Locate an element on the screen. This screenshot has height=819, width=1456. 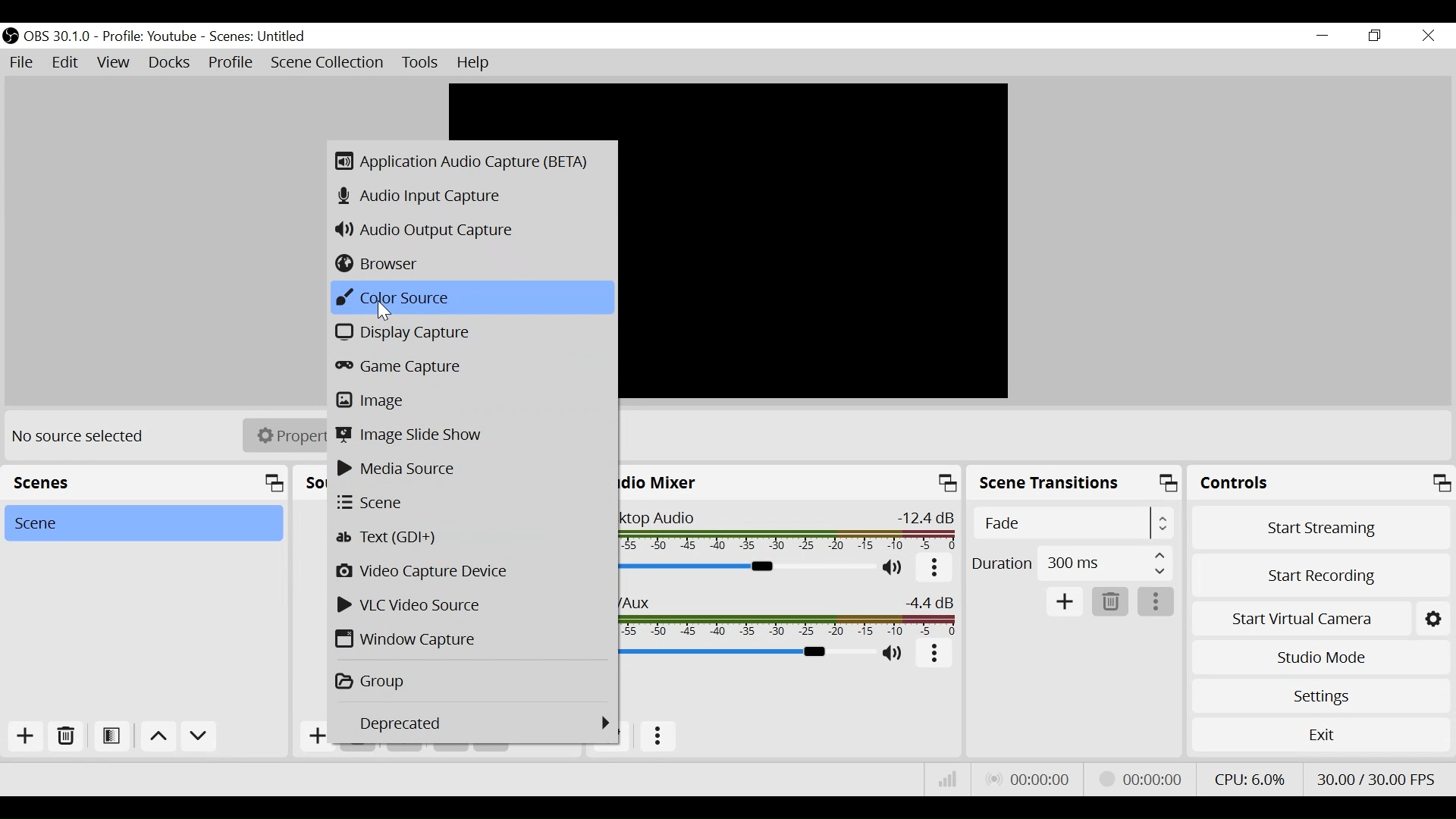
Select Duration is located at coordinates (1072, 561).